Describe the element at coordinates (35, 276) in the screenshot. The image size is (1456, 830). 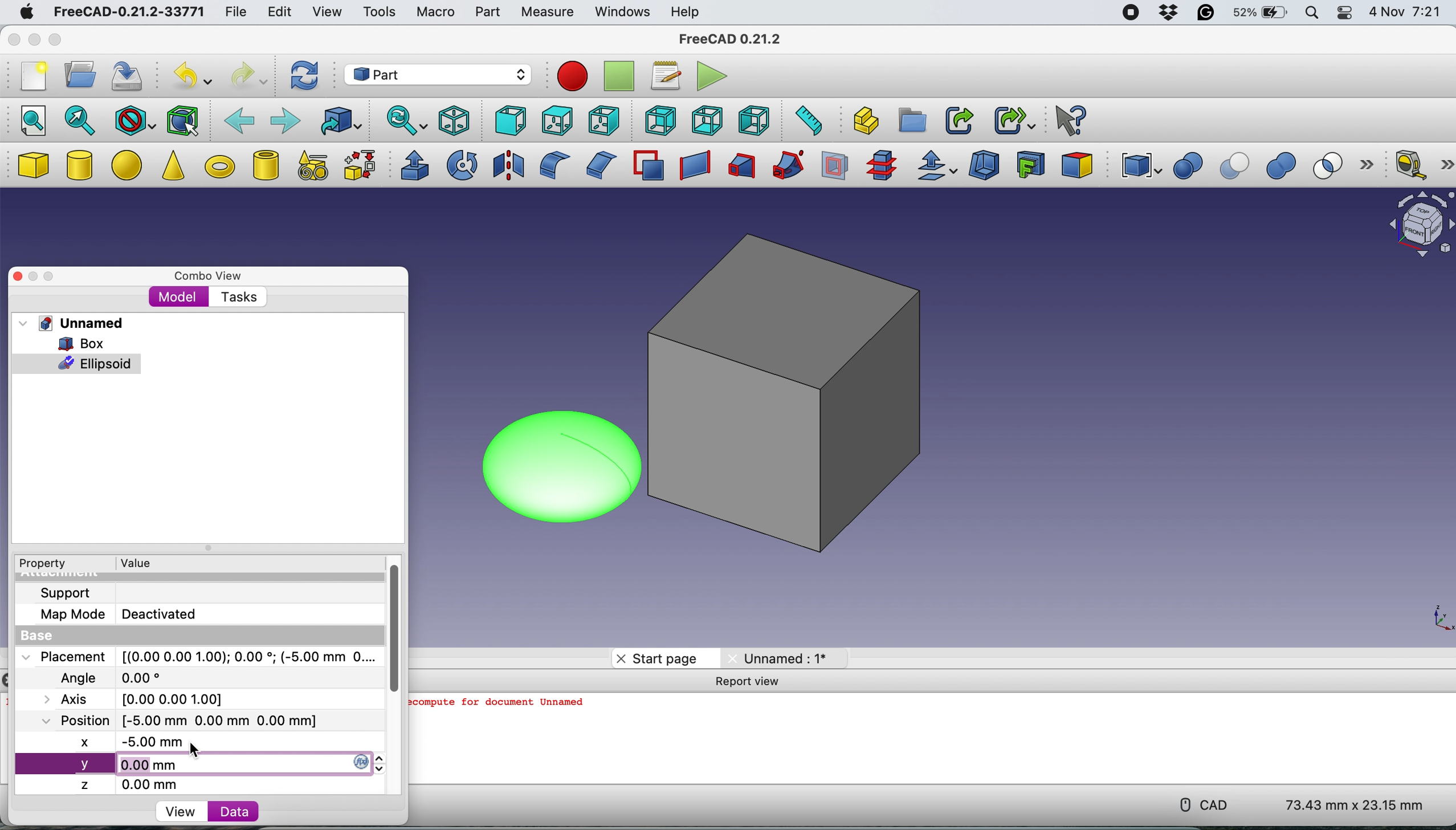
I see `minimise` at that location.